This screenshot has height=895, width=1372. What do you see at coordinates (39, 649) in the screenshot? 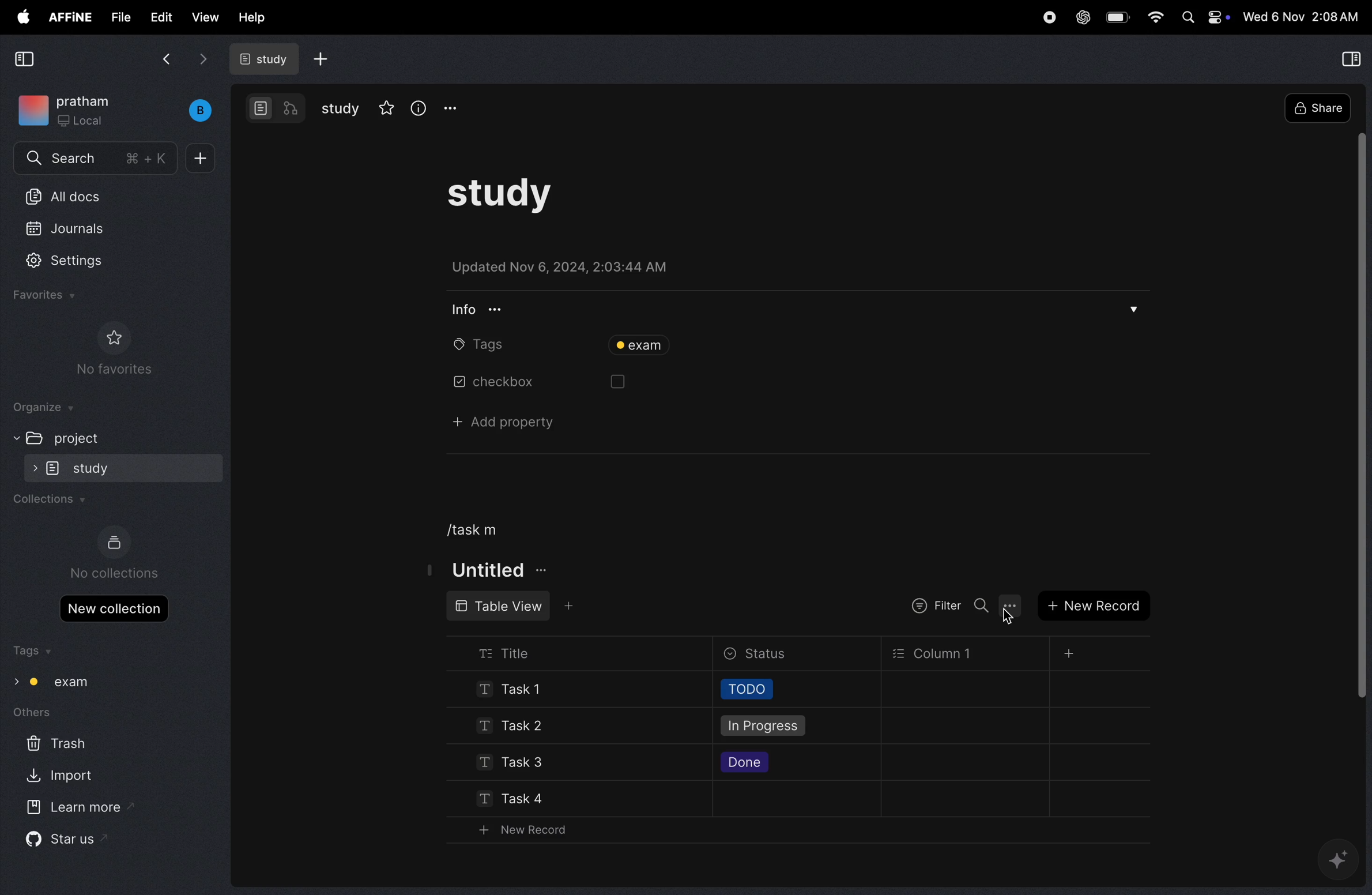
I see `tags` at bounding box center [39, 649].